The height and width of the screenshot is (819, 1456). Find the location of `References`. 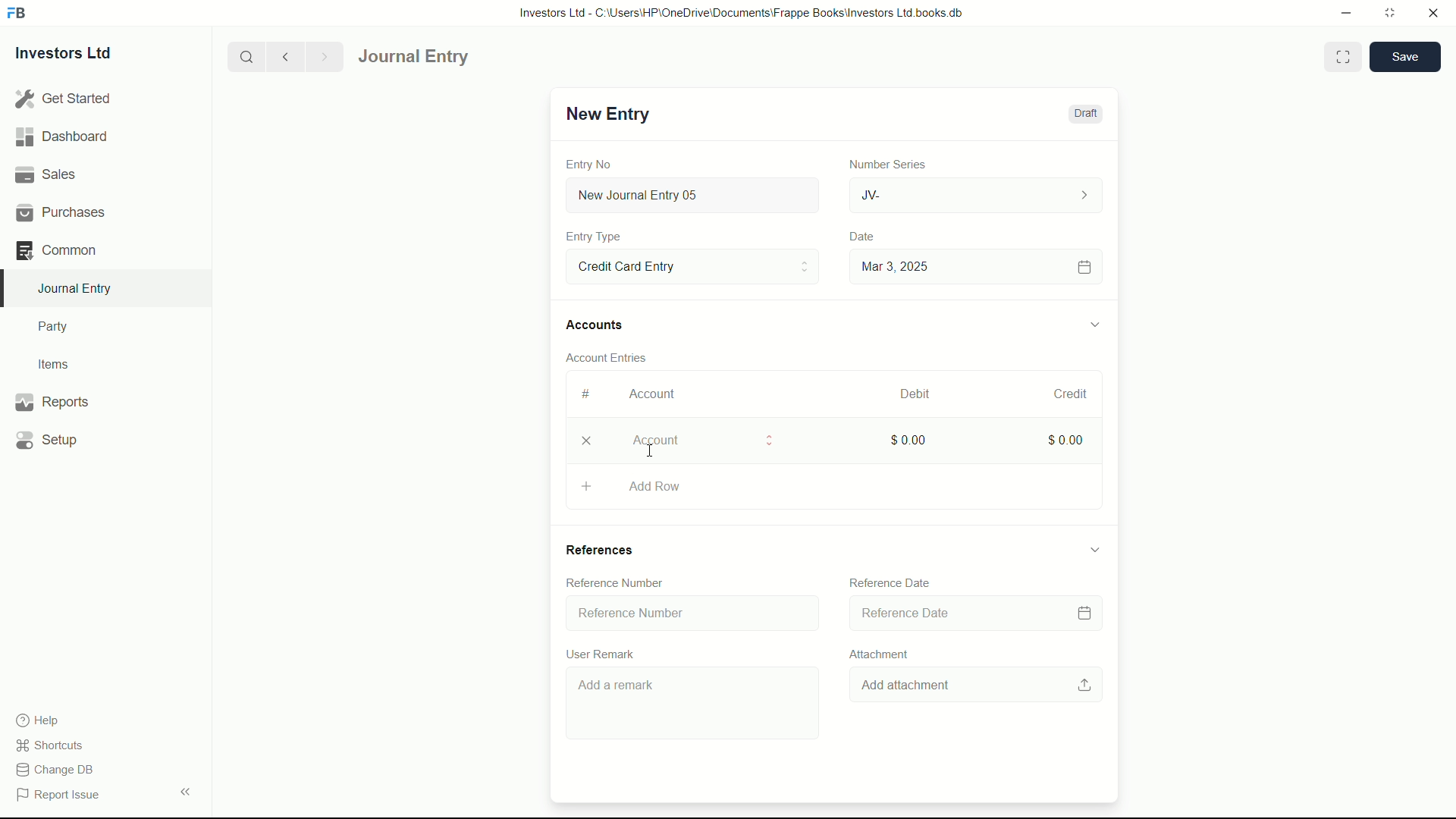

References is located at coordinates (601, 548).